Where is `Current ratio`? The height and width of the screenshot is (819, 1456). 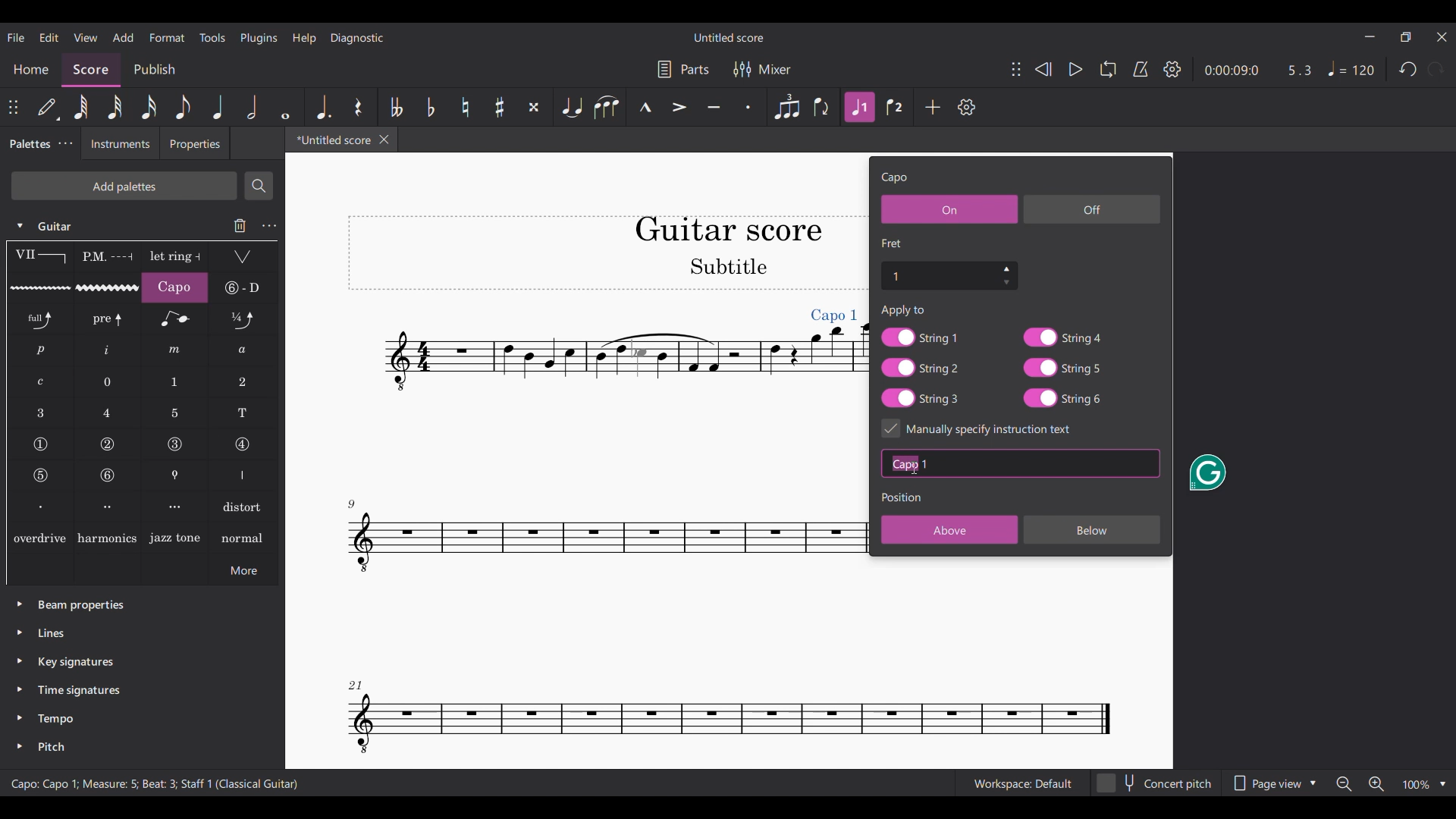 Current ratio is located at coordinates (1300, 71).